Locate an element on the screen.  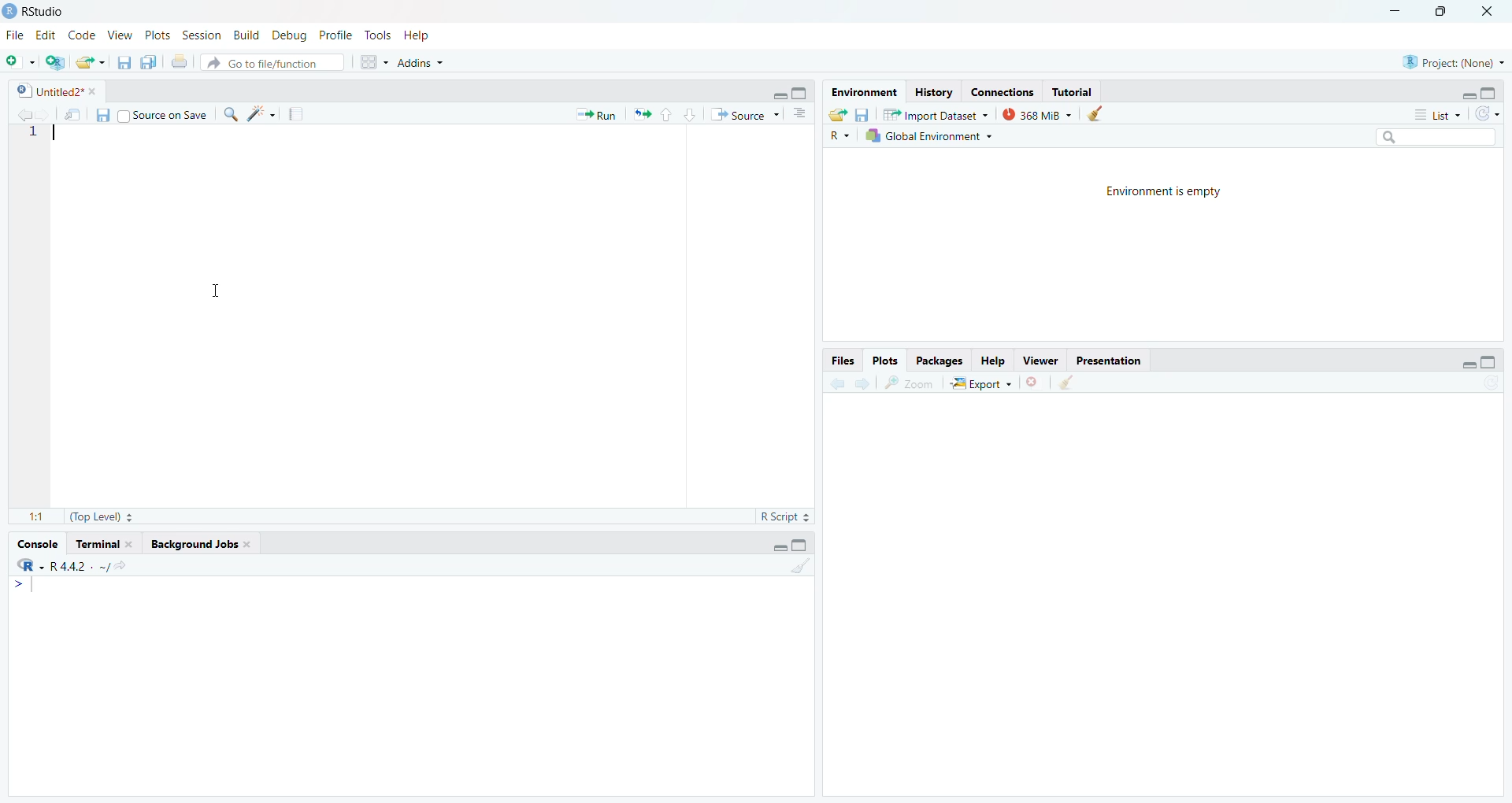
files is located at coordinates (106, 115).